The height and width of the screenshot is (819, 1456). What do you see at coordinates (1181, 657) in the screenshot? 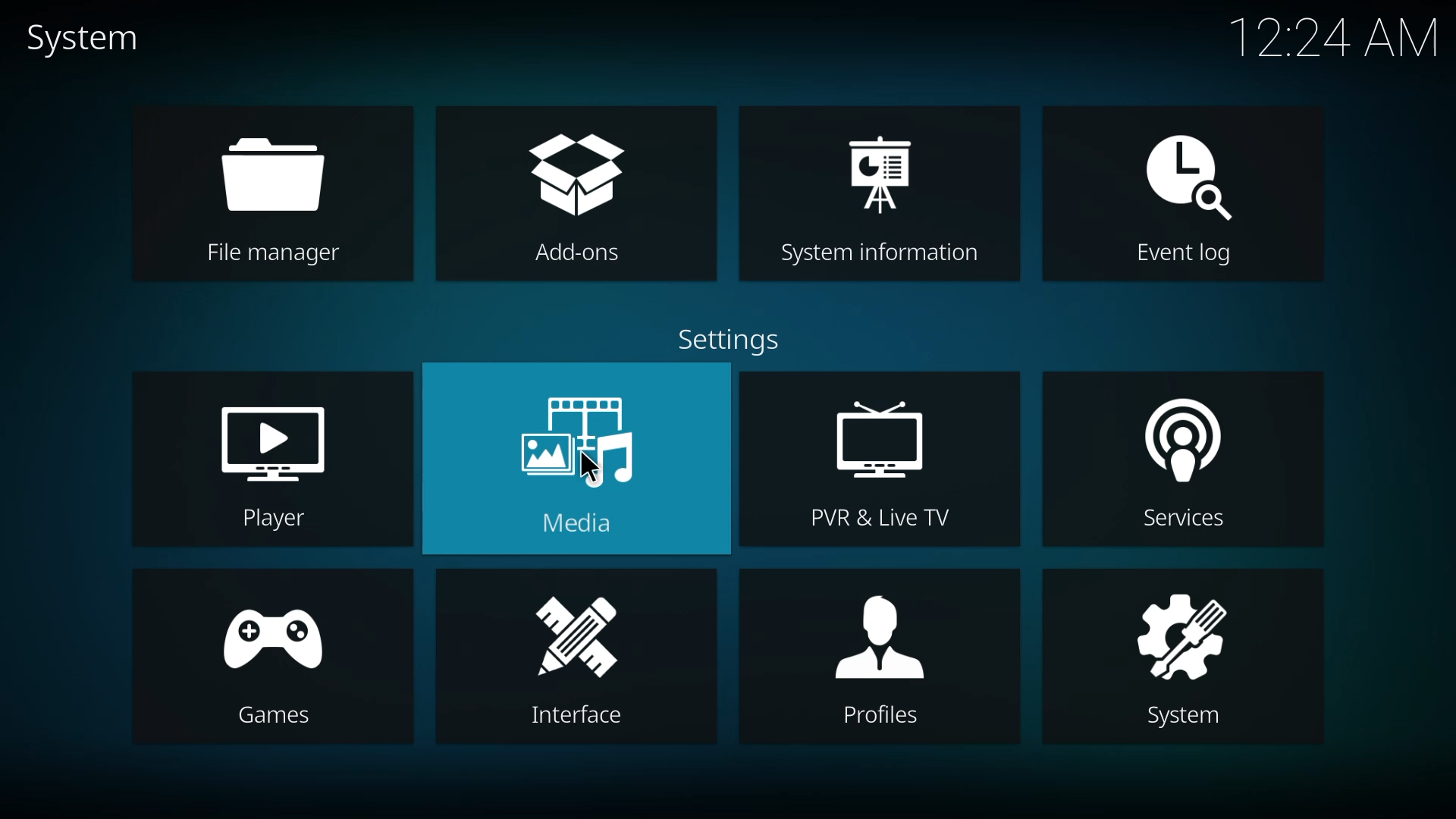
I see `system` at bounding box center [1181, 657].